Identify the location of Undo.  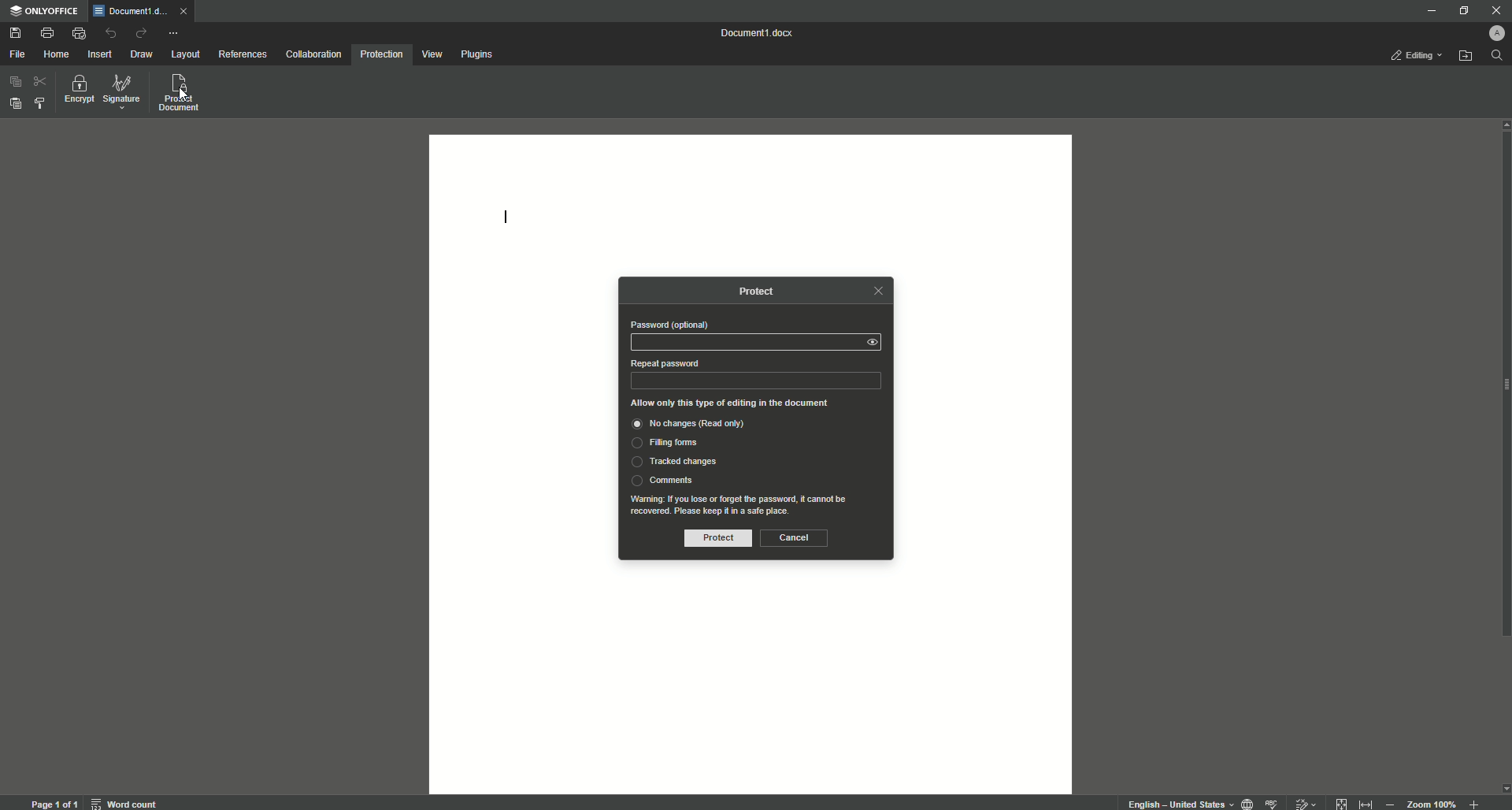
(111, 34).